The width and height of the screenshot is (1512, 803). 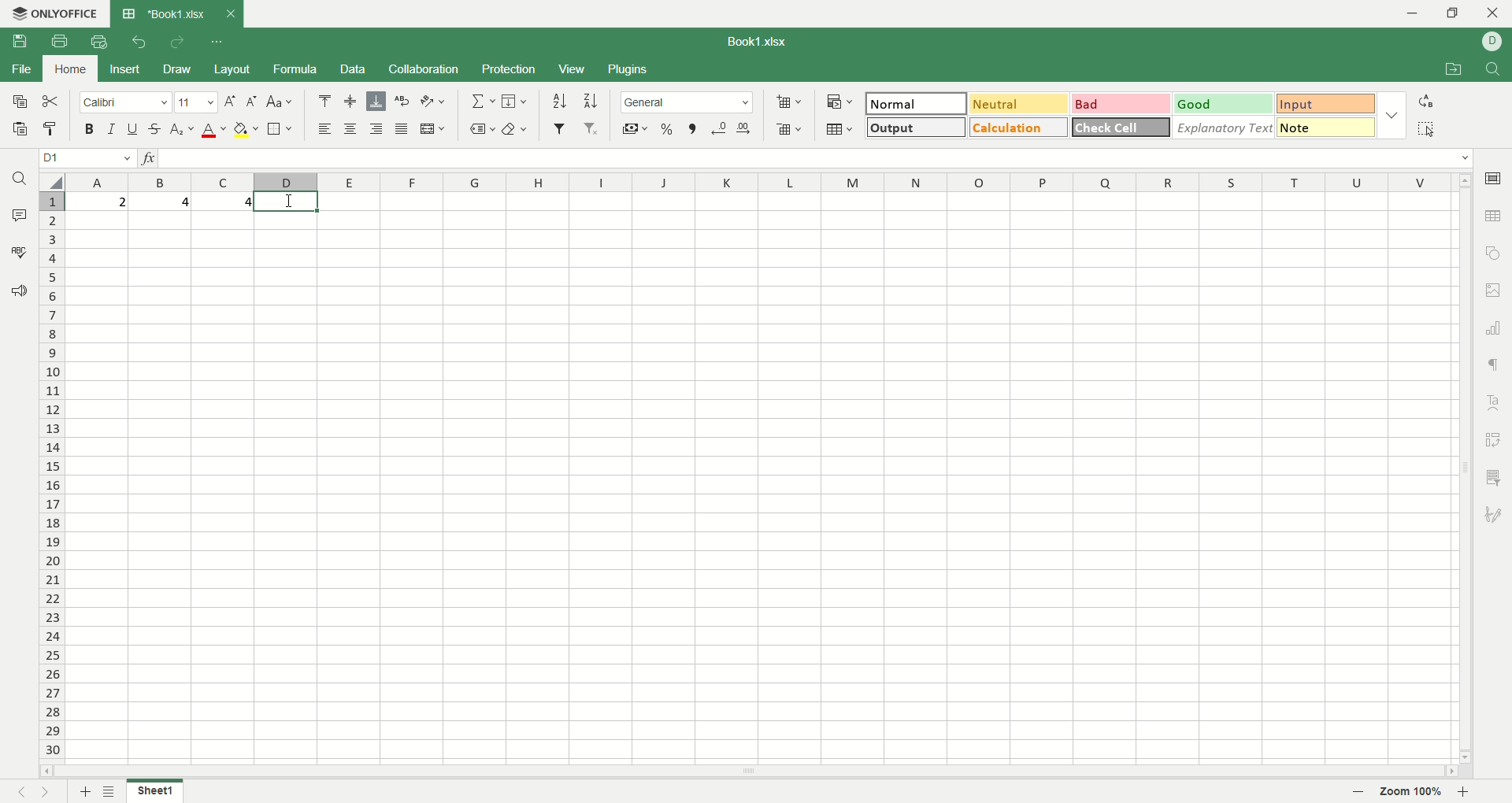 I want to click on plugins, so click(x=627, y=69).